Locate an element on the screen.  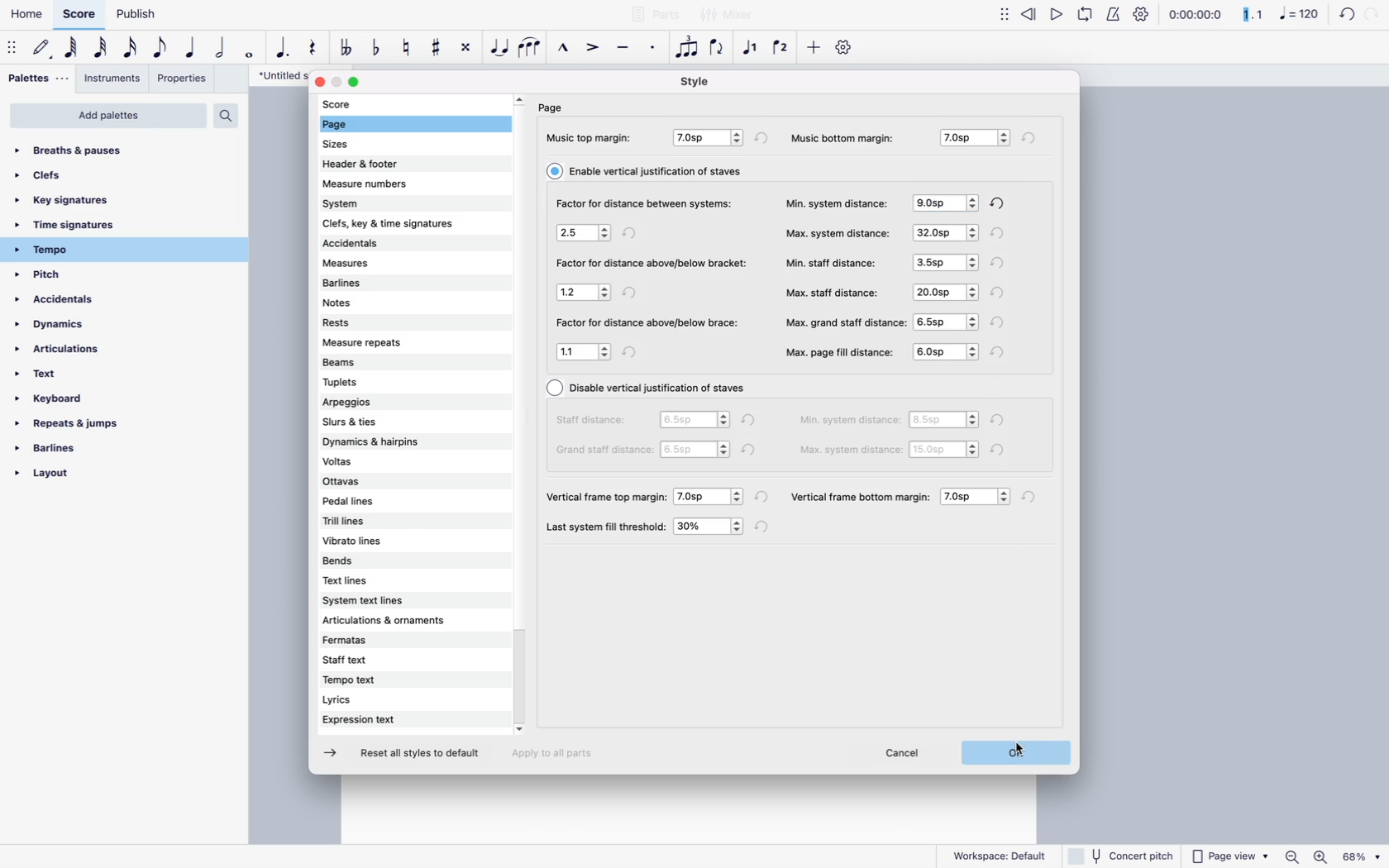
factor for distance between systems is located at coordinates (642, 204).